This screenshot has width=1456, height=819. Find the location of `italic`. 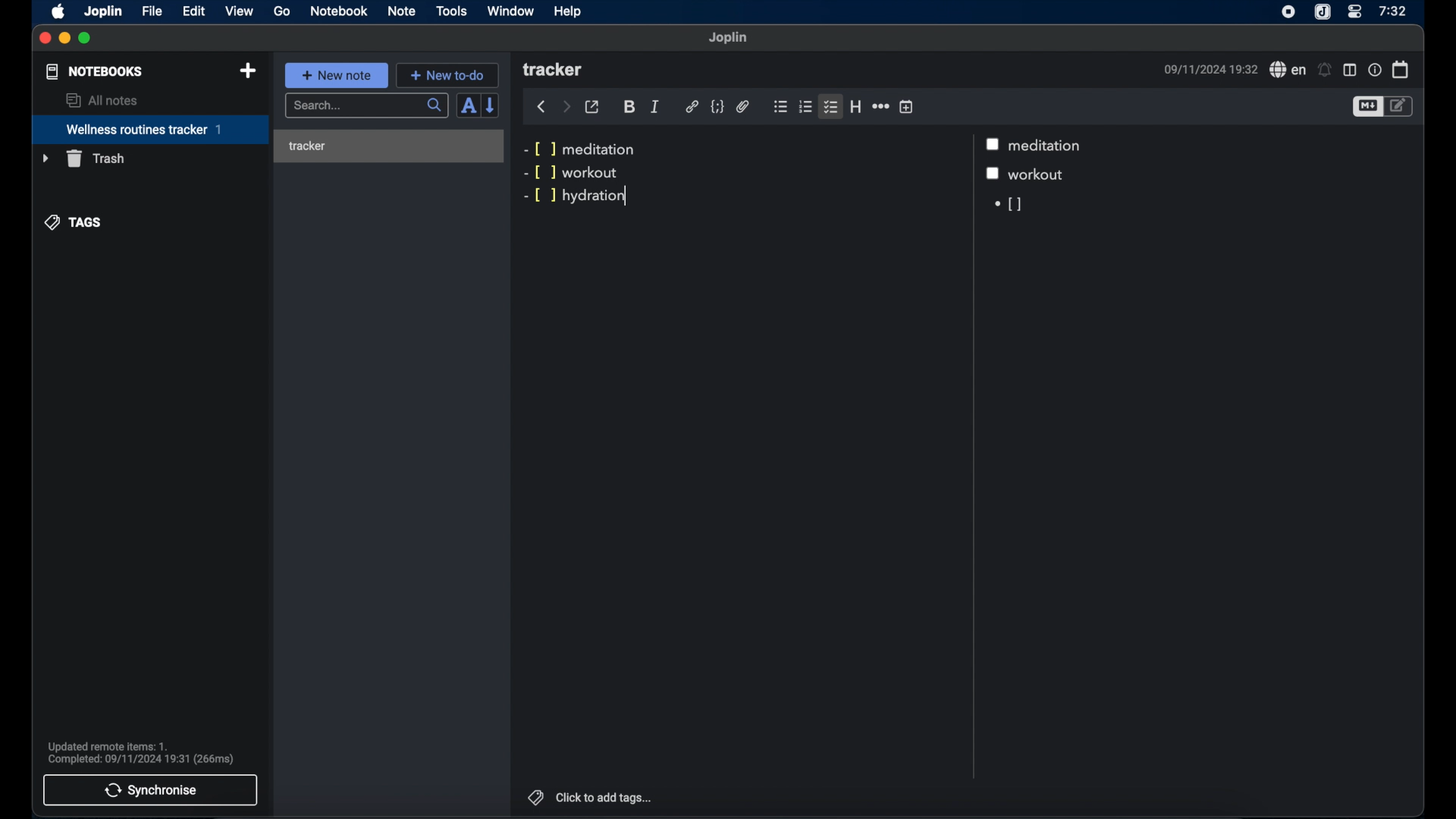

italic is located at coordinates (655, 107).